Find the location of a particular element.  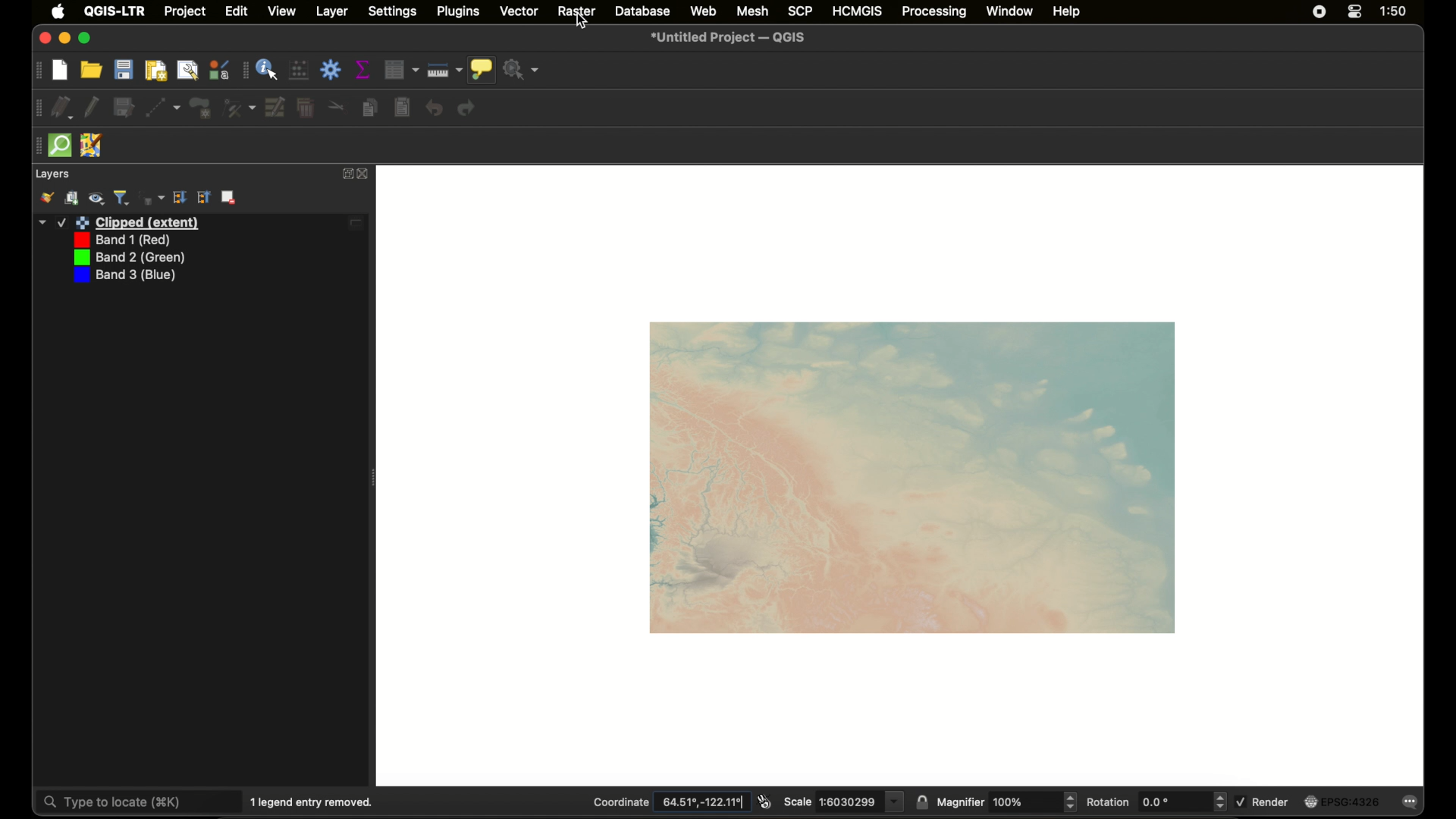

redo is located at coordinates (468, 108).